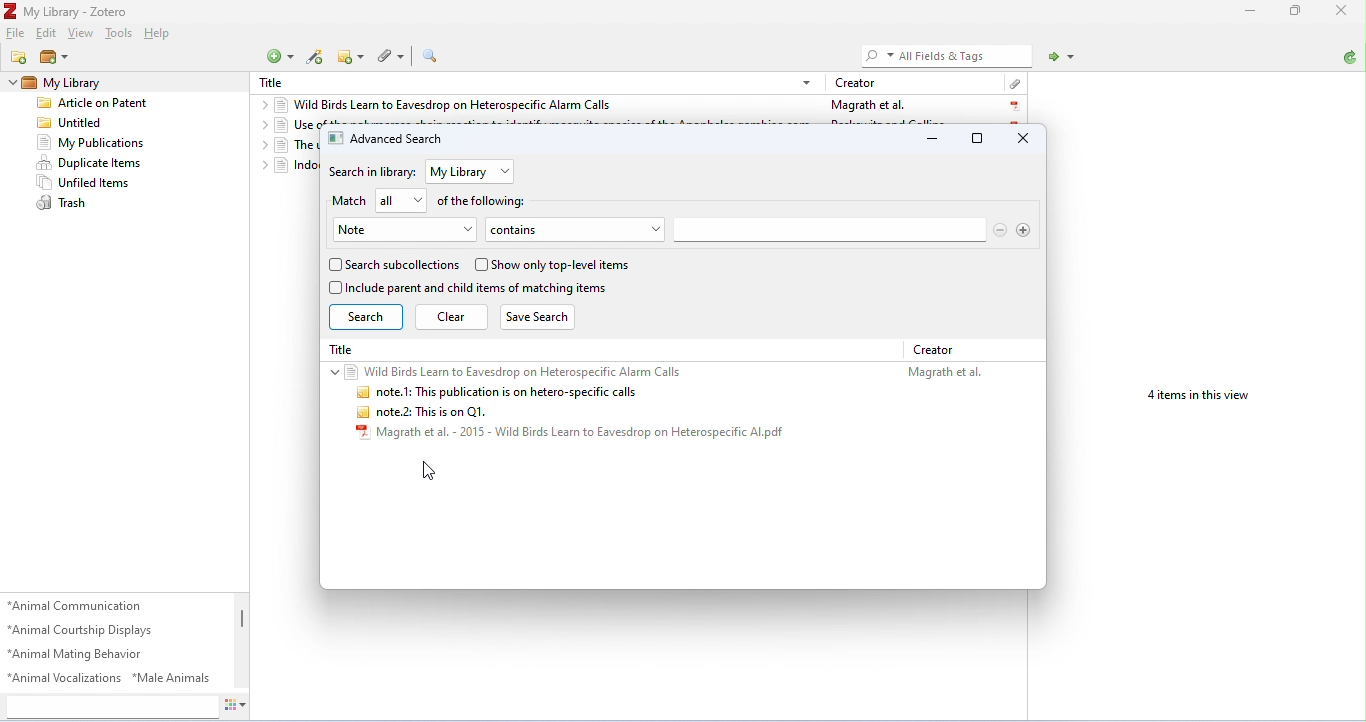 Image resolution: width=1366 pixels, height=722 pixels. What do you see at coordinates (562, 229) in the screenshot?
I see `contains` at bounding box center [562, 229].